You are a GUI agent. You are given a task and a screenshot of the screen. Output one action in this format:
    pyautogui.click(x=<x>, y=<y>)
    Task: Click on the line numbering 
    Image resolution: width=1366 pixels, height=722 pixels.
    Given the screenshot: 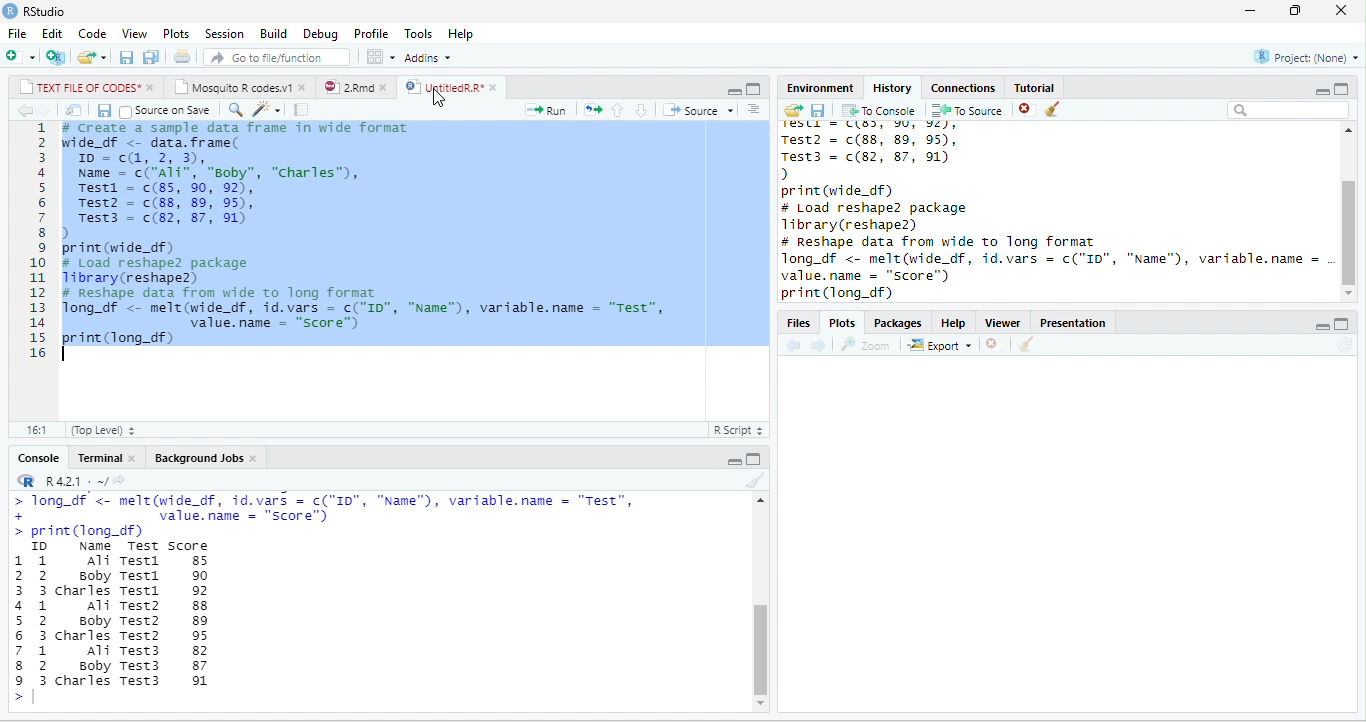 What is the action you would take?
    pyautogui.click(x=38, y=241)
    